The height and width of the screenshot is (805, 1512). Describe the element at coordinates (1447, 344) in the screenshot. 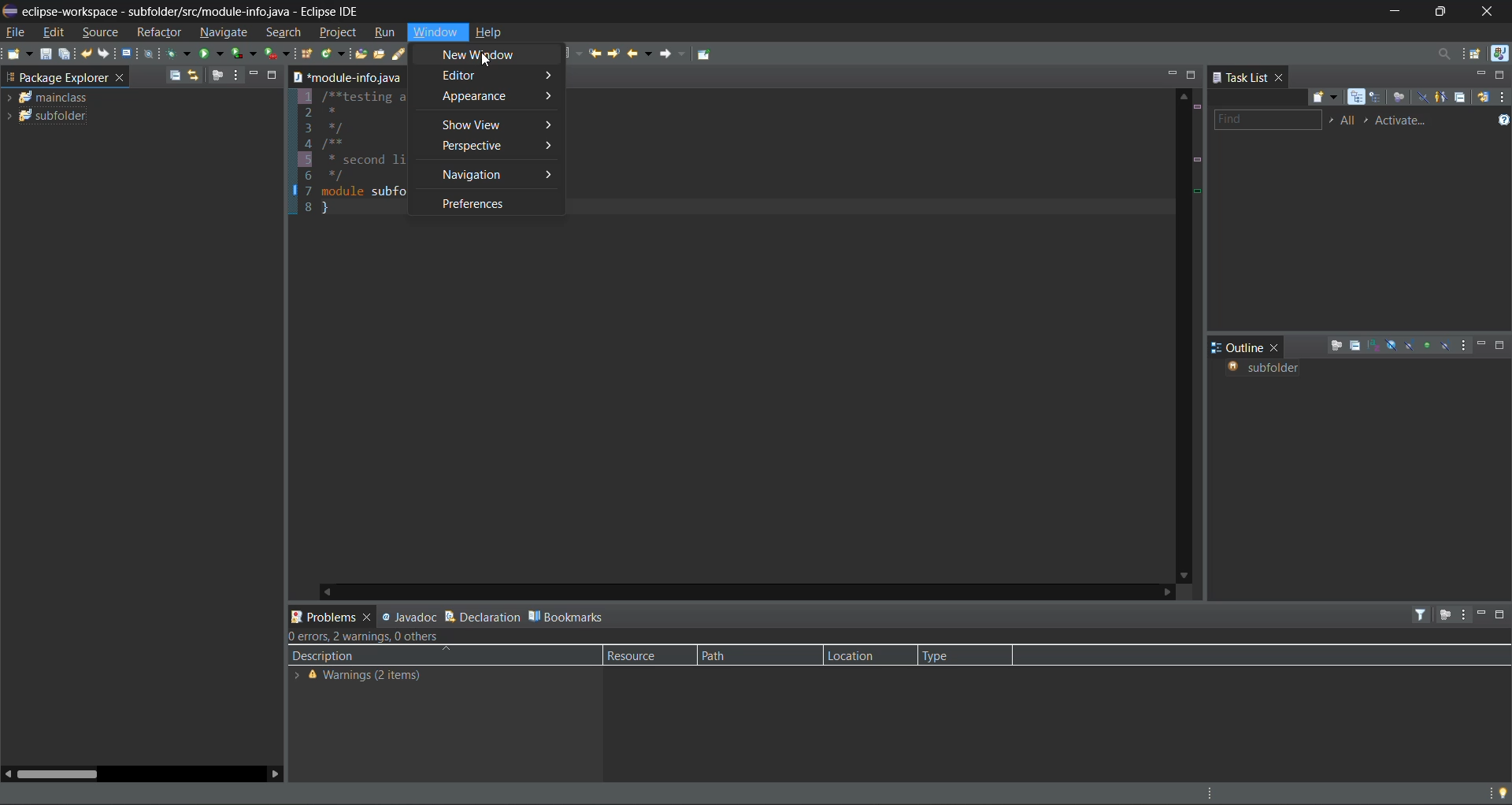

I see `hide local types` at that location.